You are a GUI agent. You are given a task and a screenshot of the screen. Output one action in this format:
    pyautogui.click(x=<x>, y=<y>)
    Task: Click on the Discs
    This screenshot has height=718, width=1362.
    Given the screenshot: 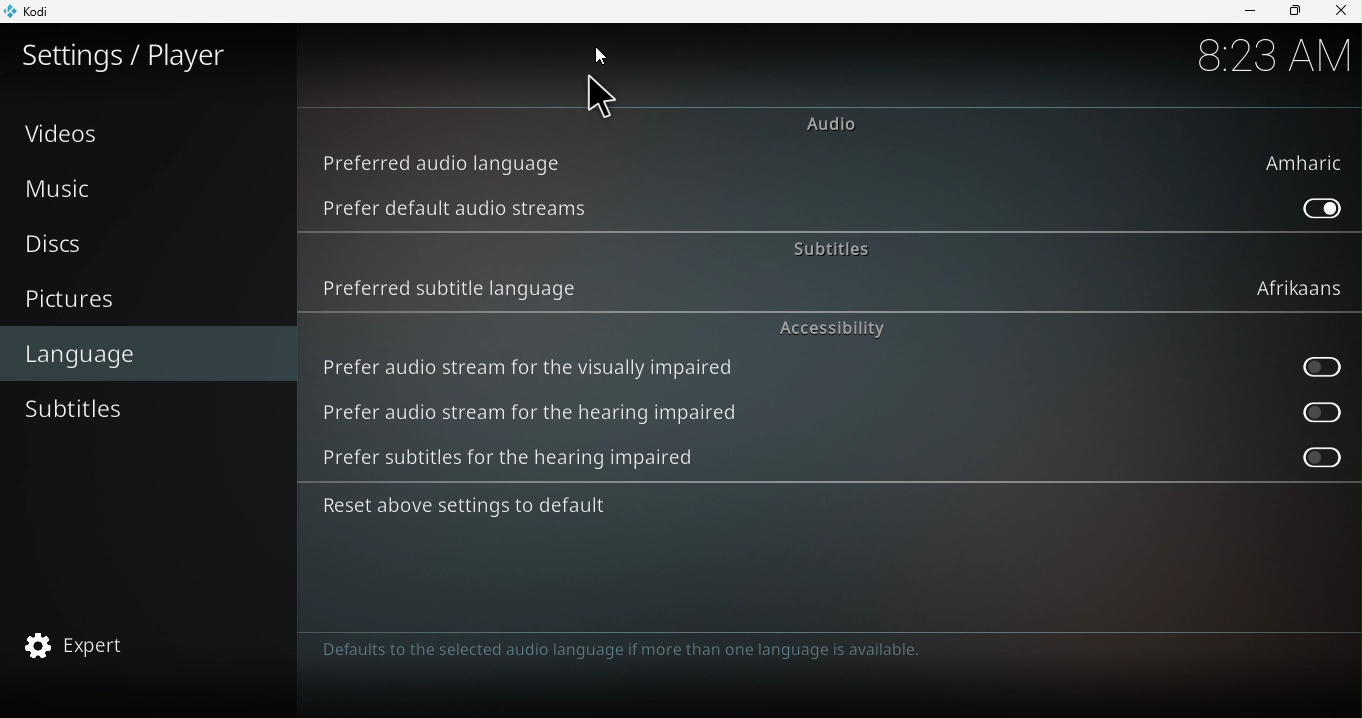 What is the action you would take?
    pyautogui.click(x=140, y=248)
    